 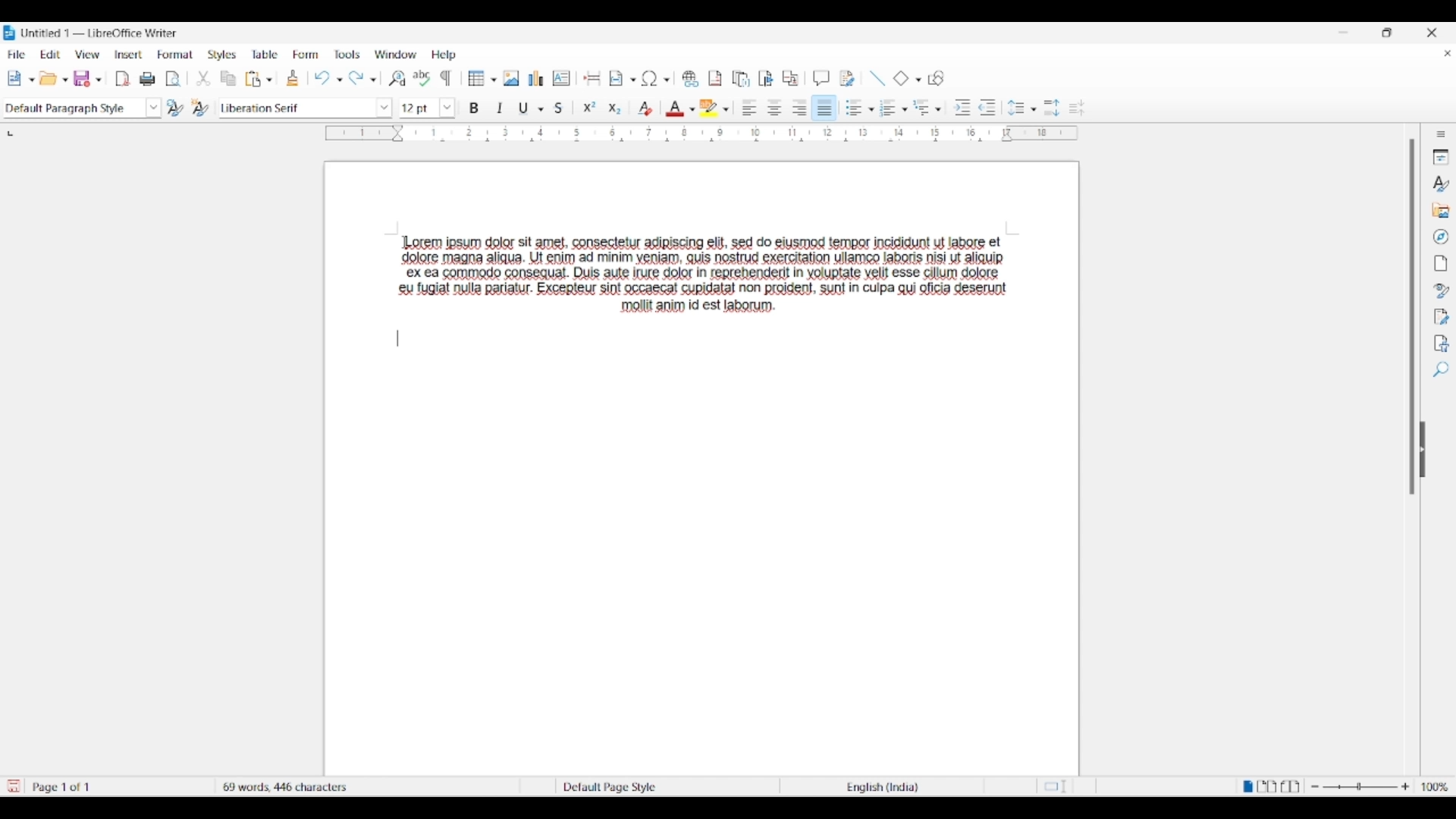 I want to click on Vertical slide bar, so click(x=1412, y=317).